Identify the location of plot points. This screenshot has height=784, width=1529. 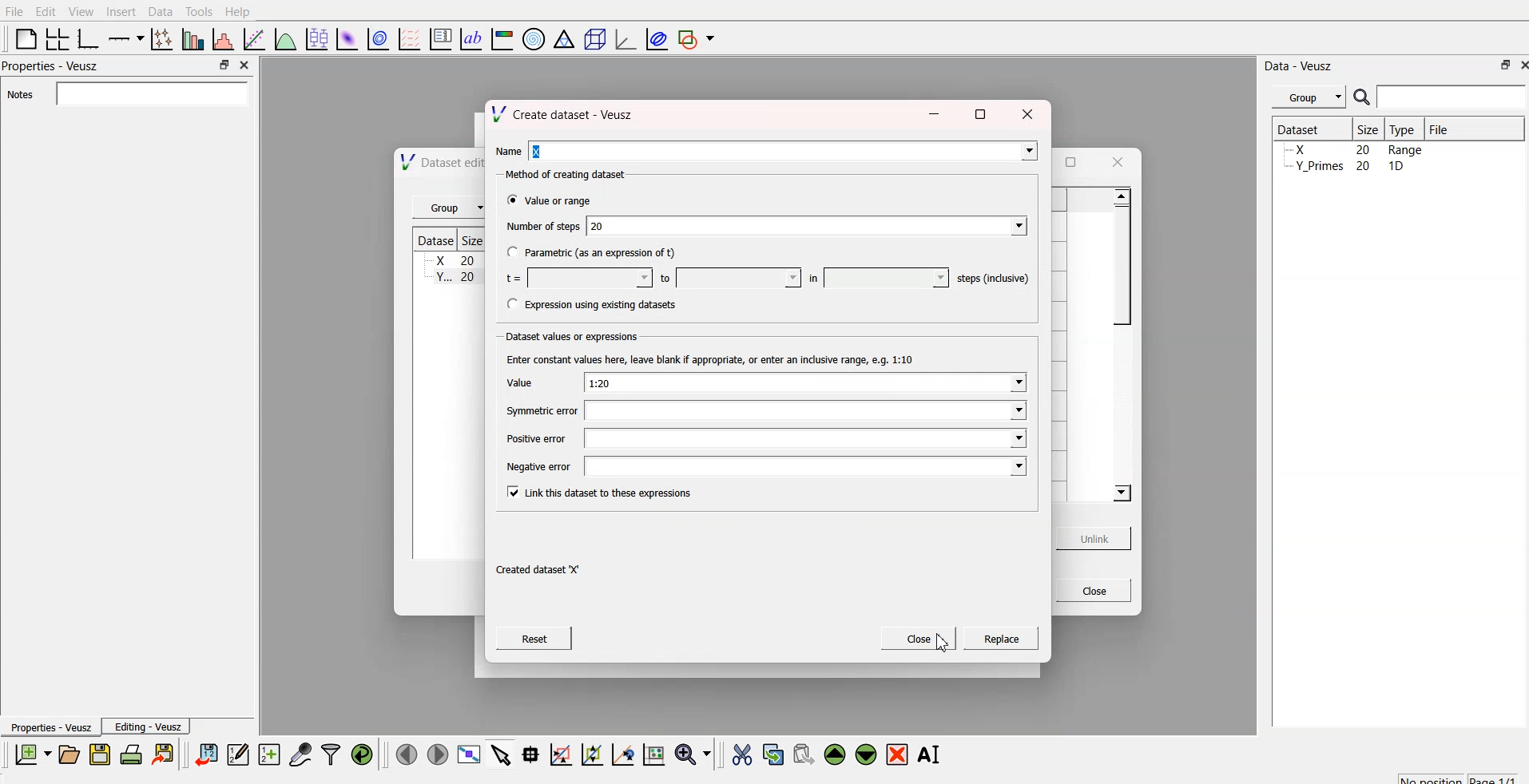
(158, 38).